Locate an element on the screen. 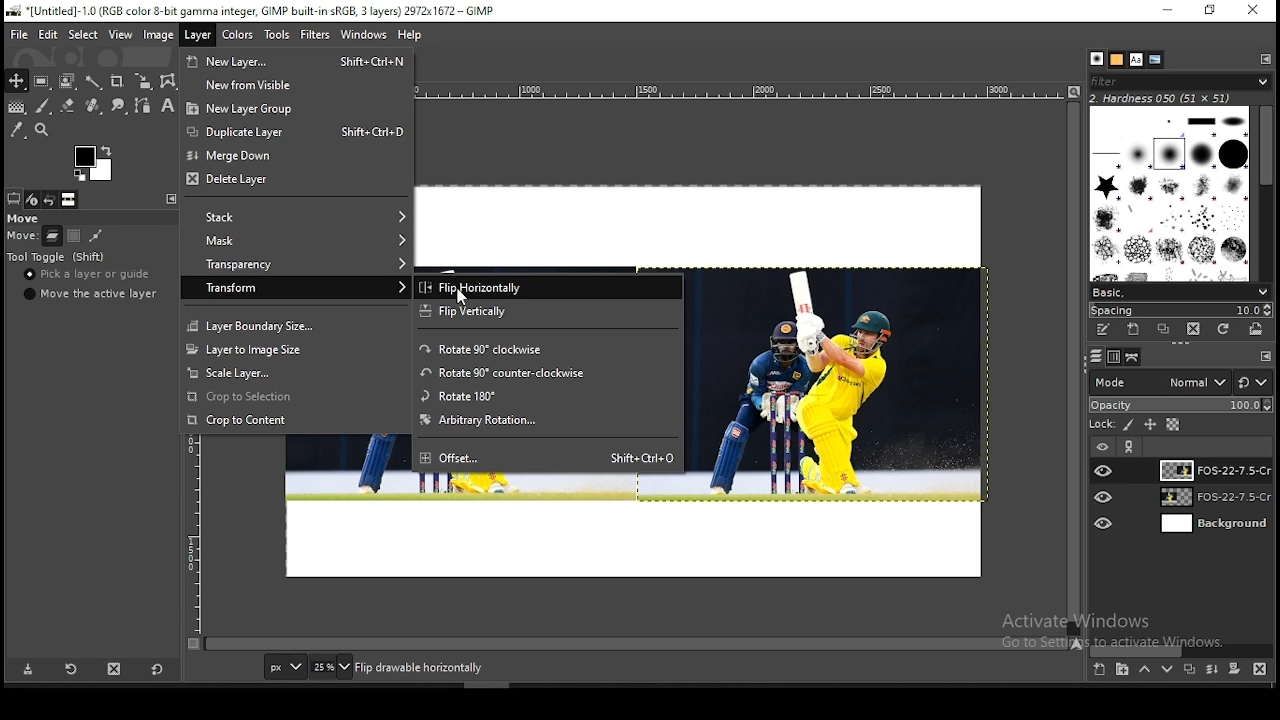 Image resolution: width=1280 pixels, height=720 pixels. windows is located at coordinates (363, 35).